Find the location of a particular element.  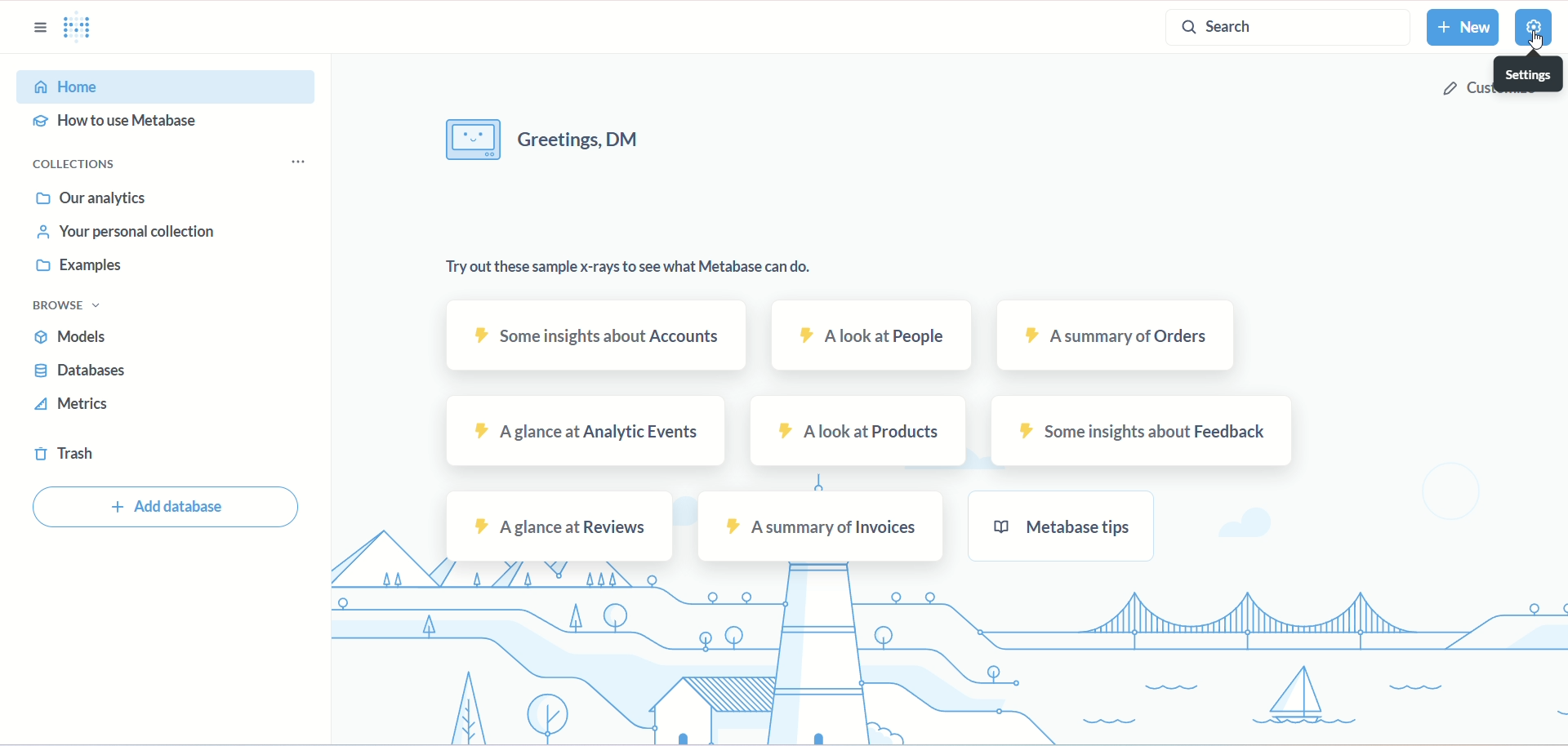

add database is located at coordinates (168, 510).